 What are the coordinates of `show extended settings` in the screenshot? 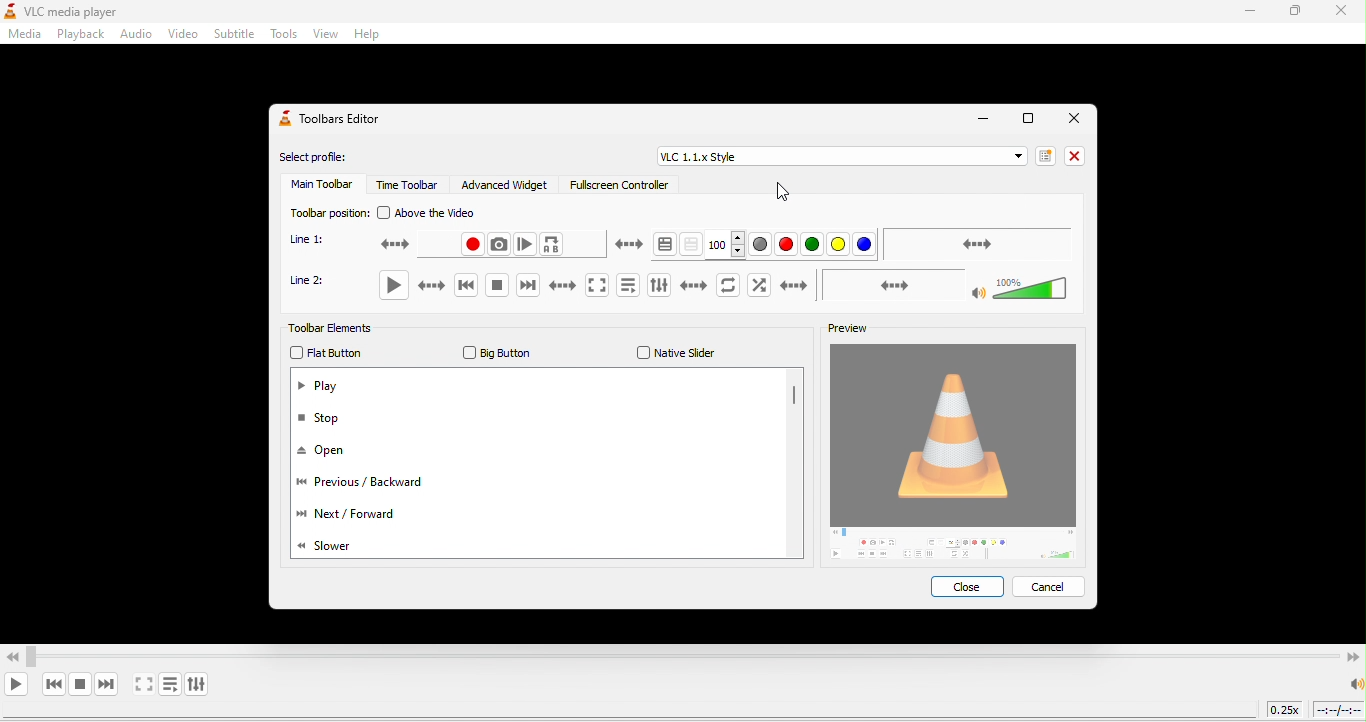 It's located at (654, 285).